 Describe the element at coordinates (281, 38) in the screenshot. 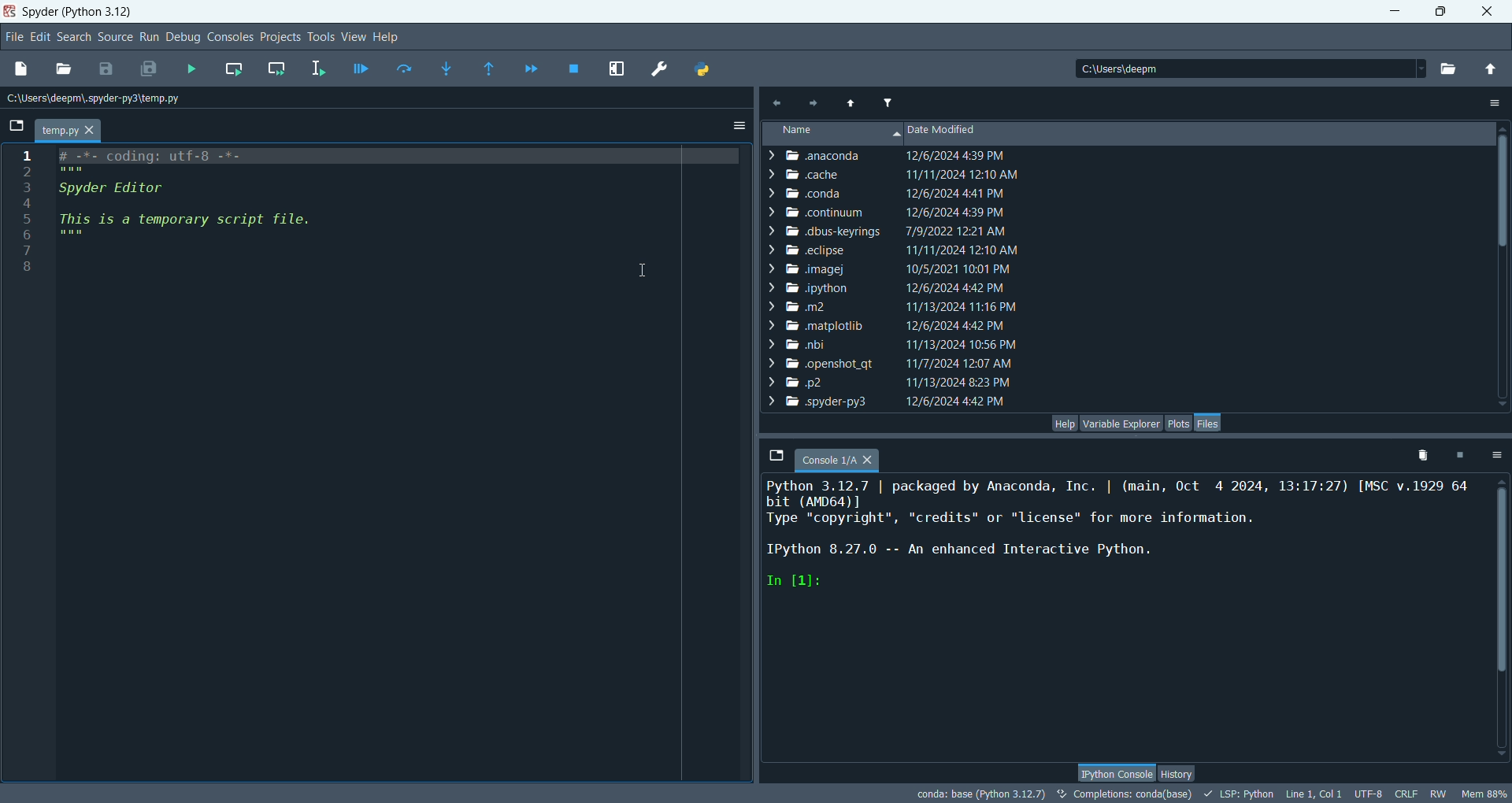

I see `projects` at that location.